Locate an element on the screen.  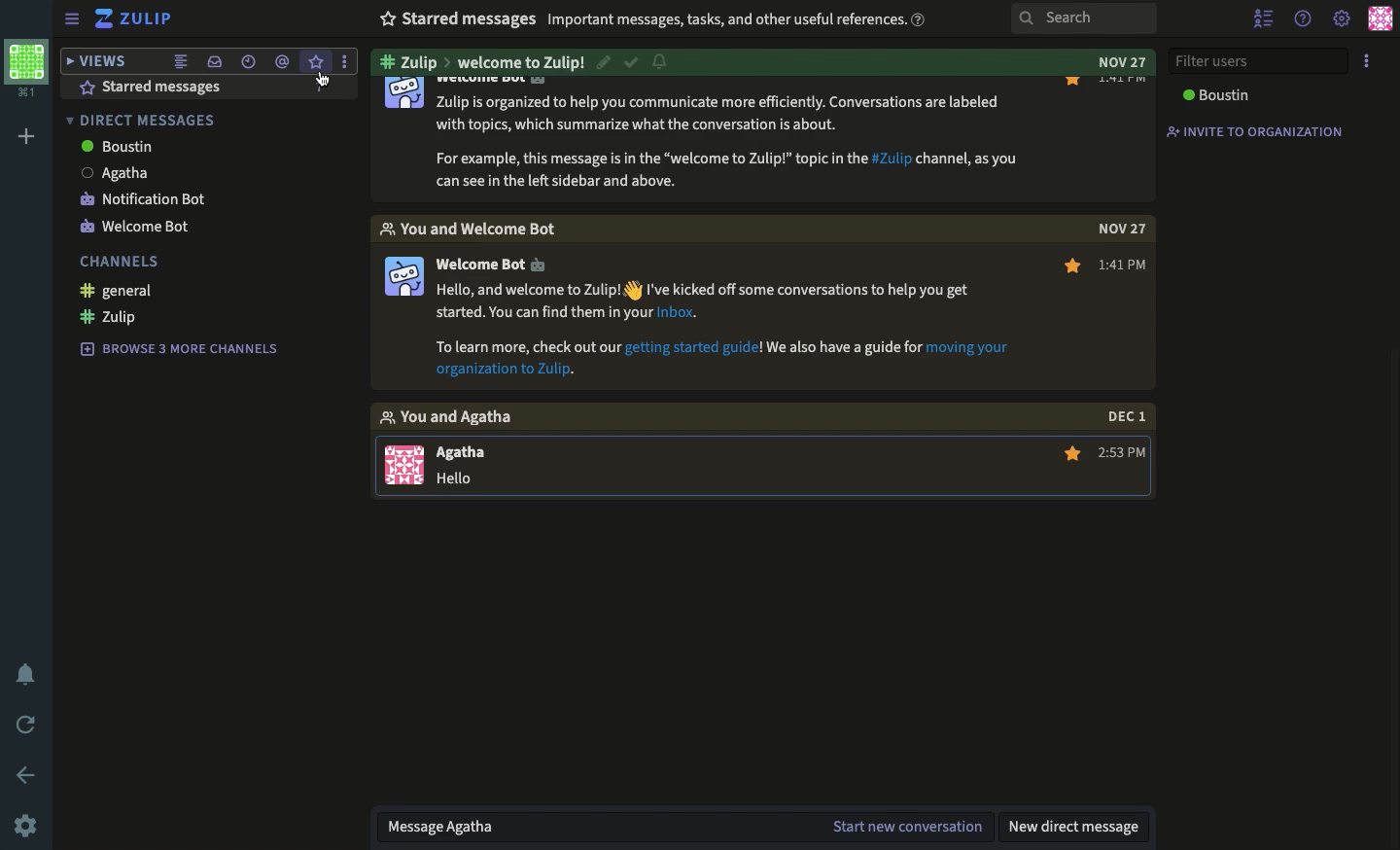
browse 3 more channels  is located at coordinates (174, 349).